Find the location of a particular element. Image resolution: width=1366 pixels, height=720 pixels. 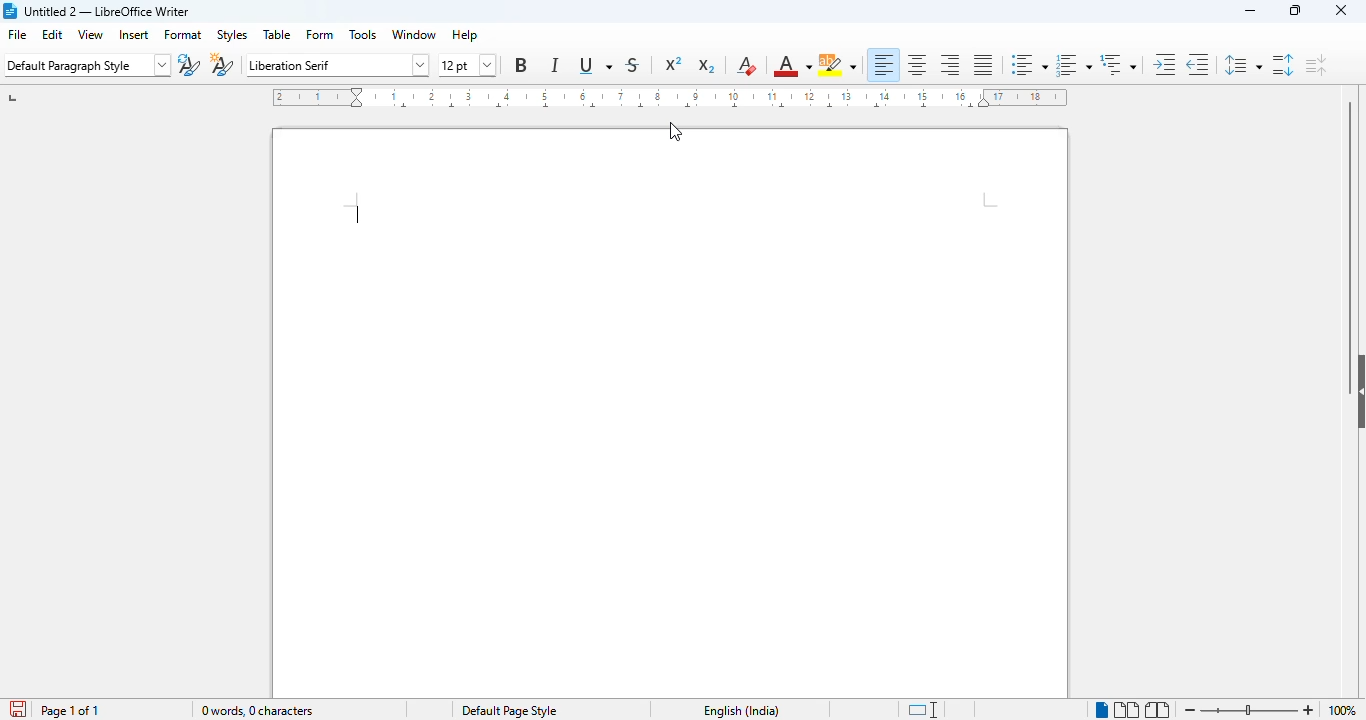

strikethrough is located at coordinates (632, 66).